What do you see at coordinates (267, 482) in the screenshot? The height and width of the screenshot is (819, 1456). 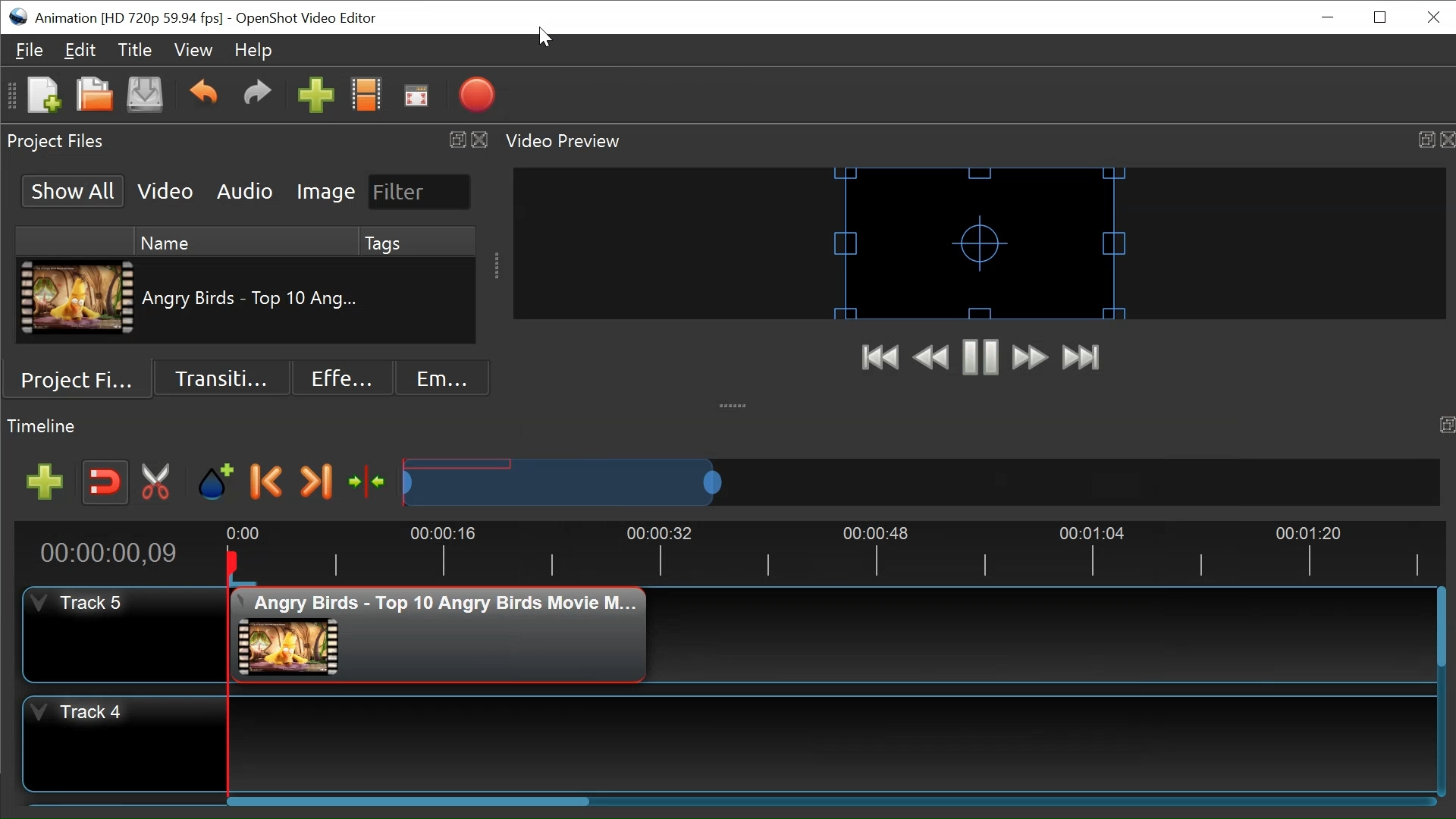 I see `Previous Marker` at bounding box center [267, 482].